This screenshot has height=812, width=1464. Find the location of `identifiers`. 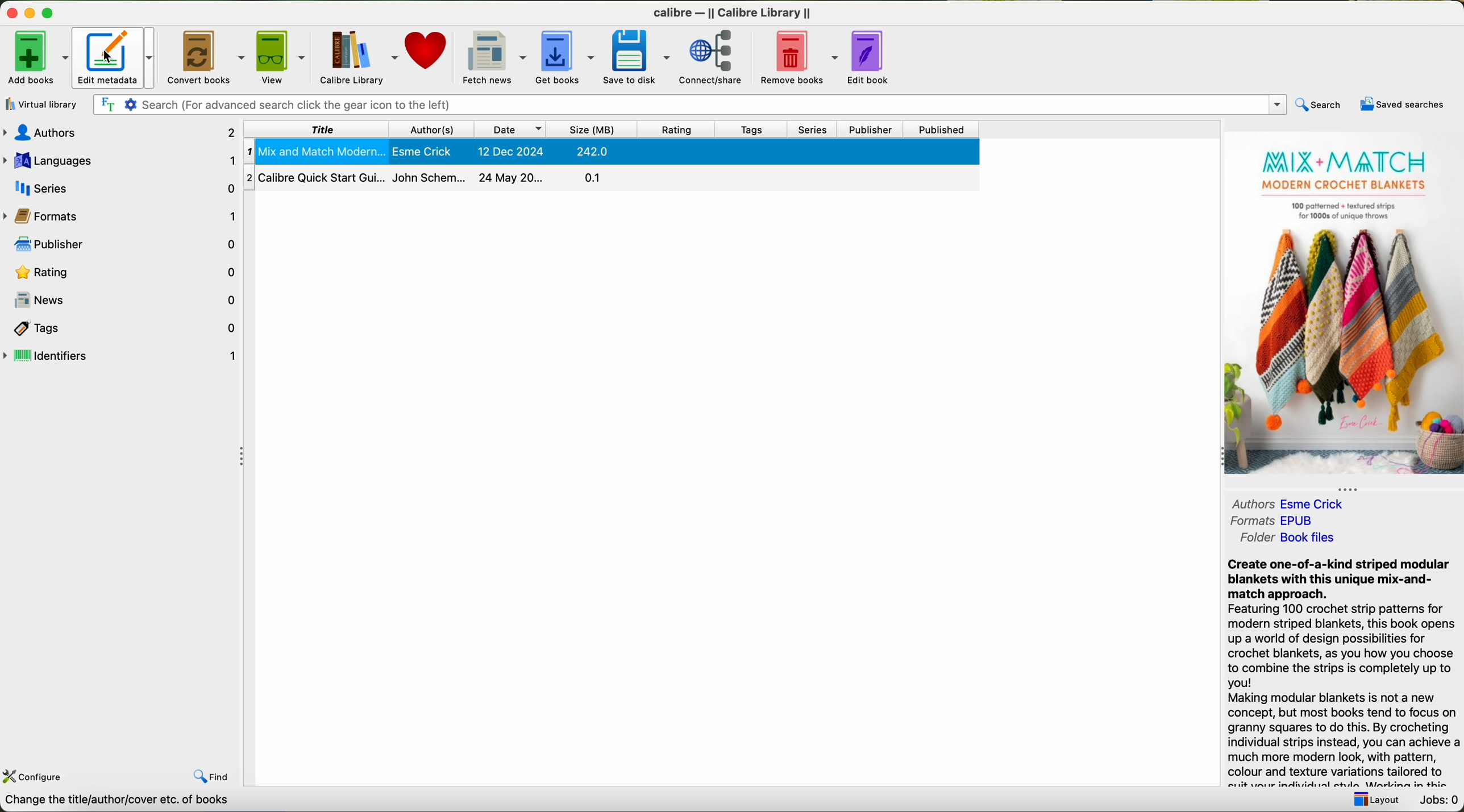

identifiers is located at coordinates (121, 356).